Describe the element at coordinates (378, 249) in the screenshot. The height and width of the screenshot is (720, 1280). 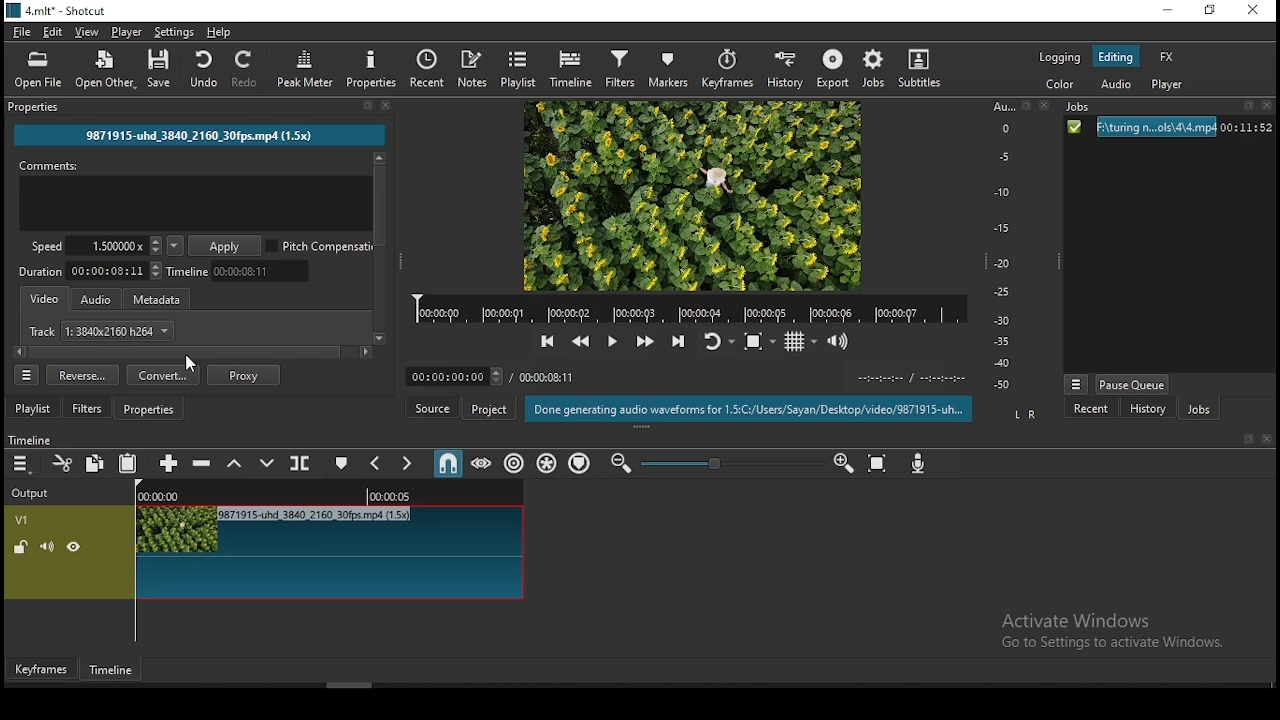
I see `scroll bar` at that location.